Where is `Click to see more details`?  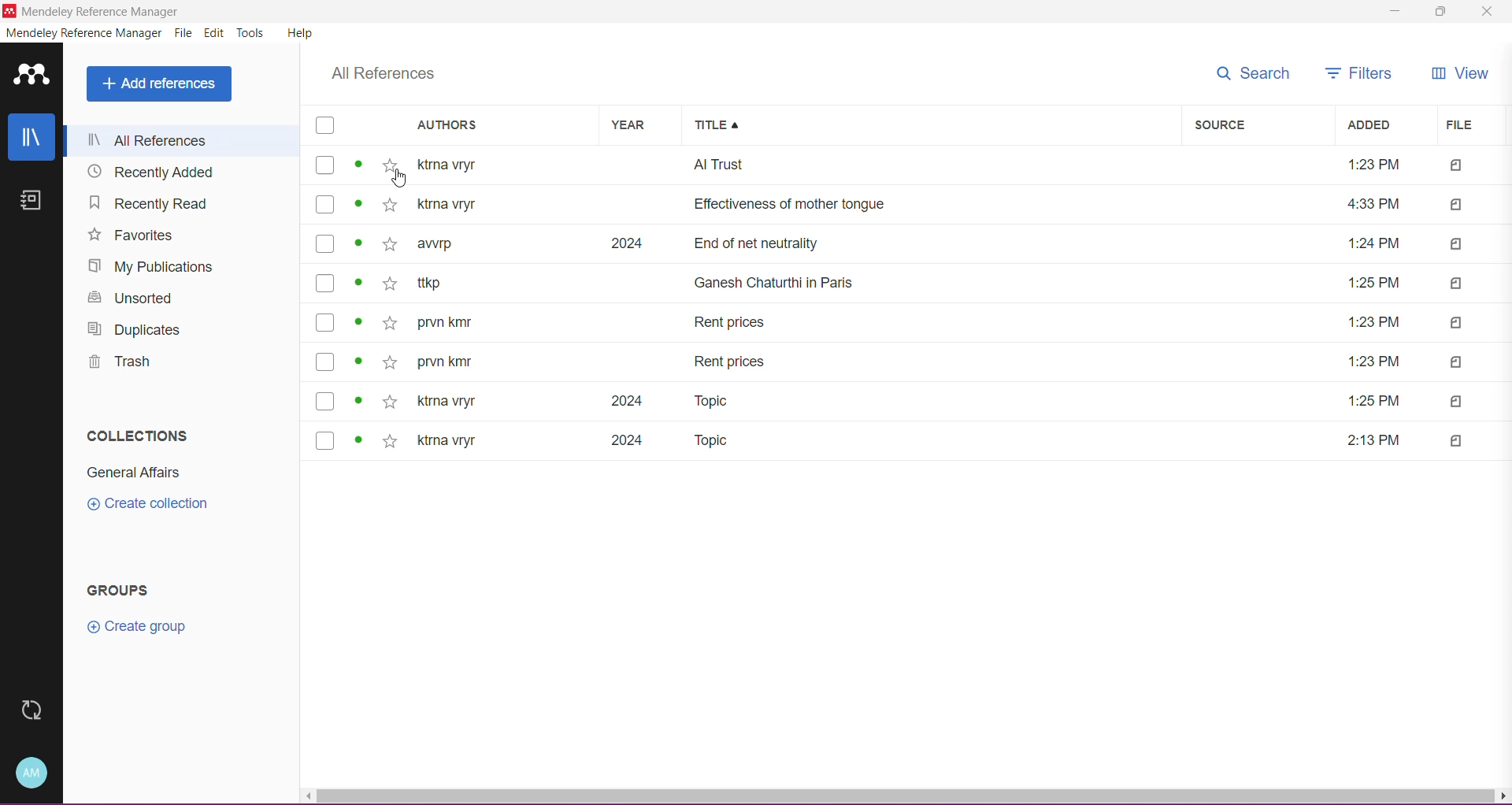 Click to see more details is located at coordinates (358, 243).